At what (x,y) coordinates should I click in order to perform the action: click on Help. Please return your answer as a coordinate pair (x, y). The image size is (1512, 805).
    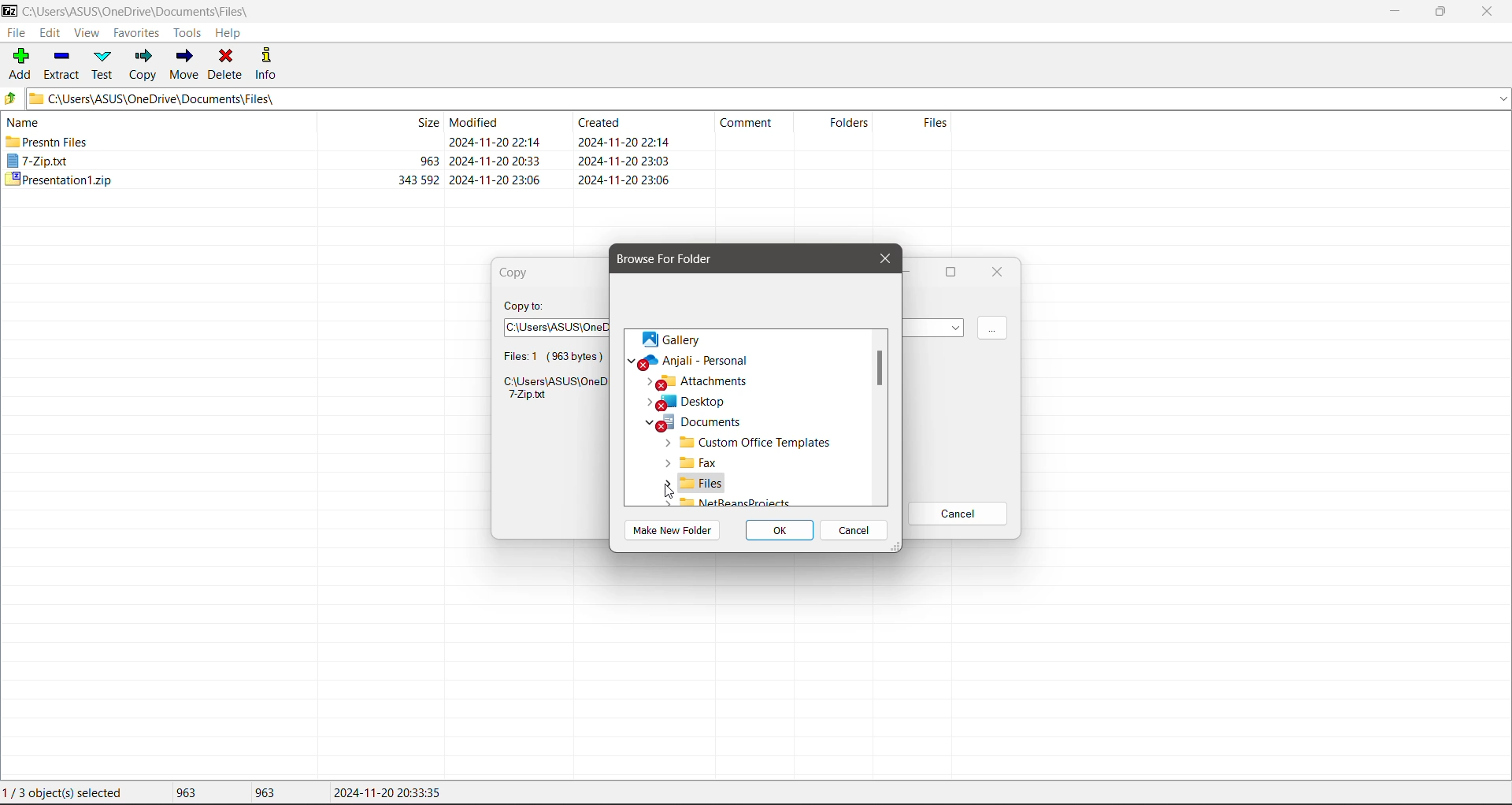
    Looking at the image, I should click on (228, 33).